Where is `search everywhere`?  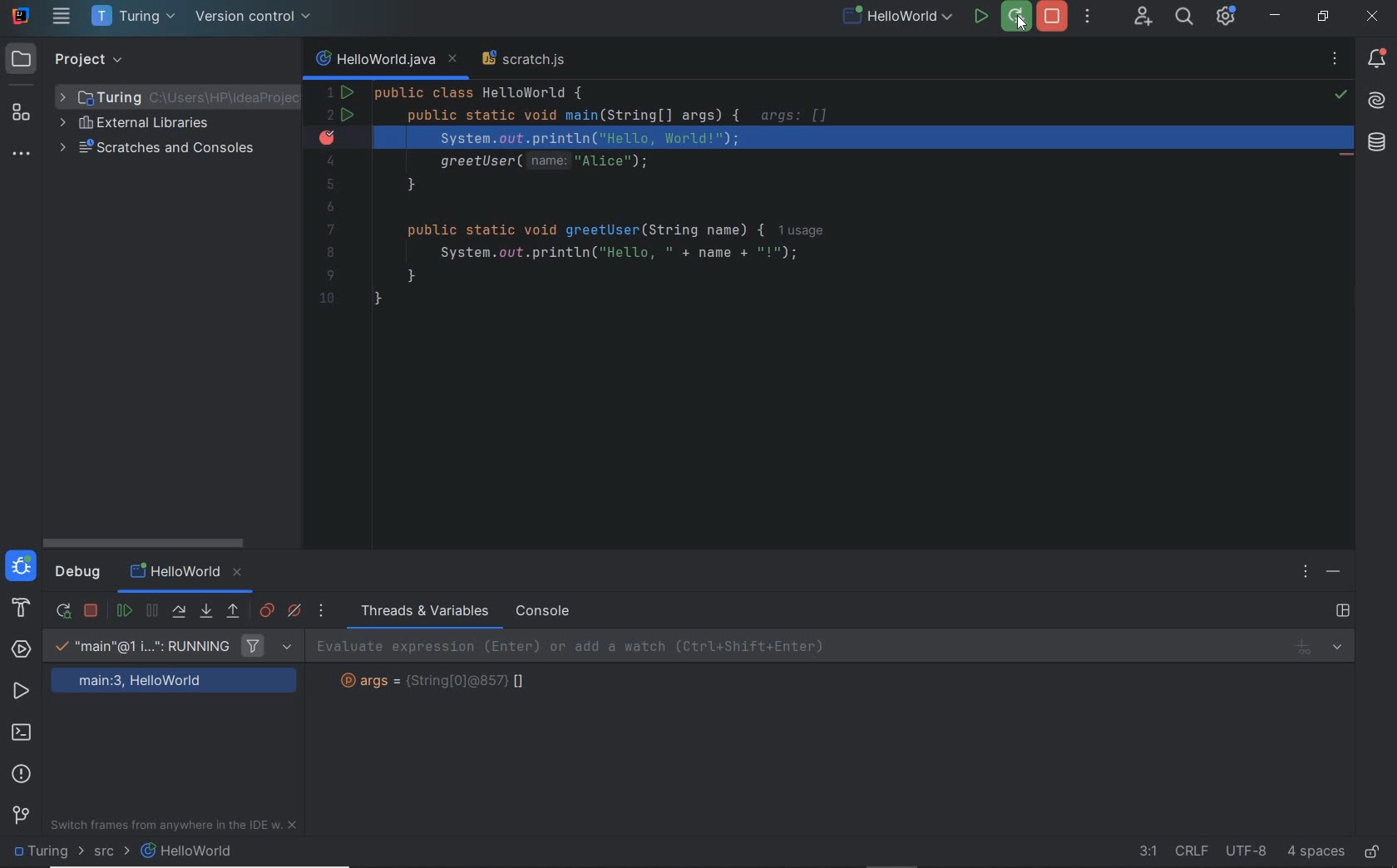 search everywhere is located at coordinates (1184, 18).